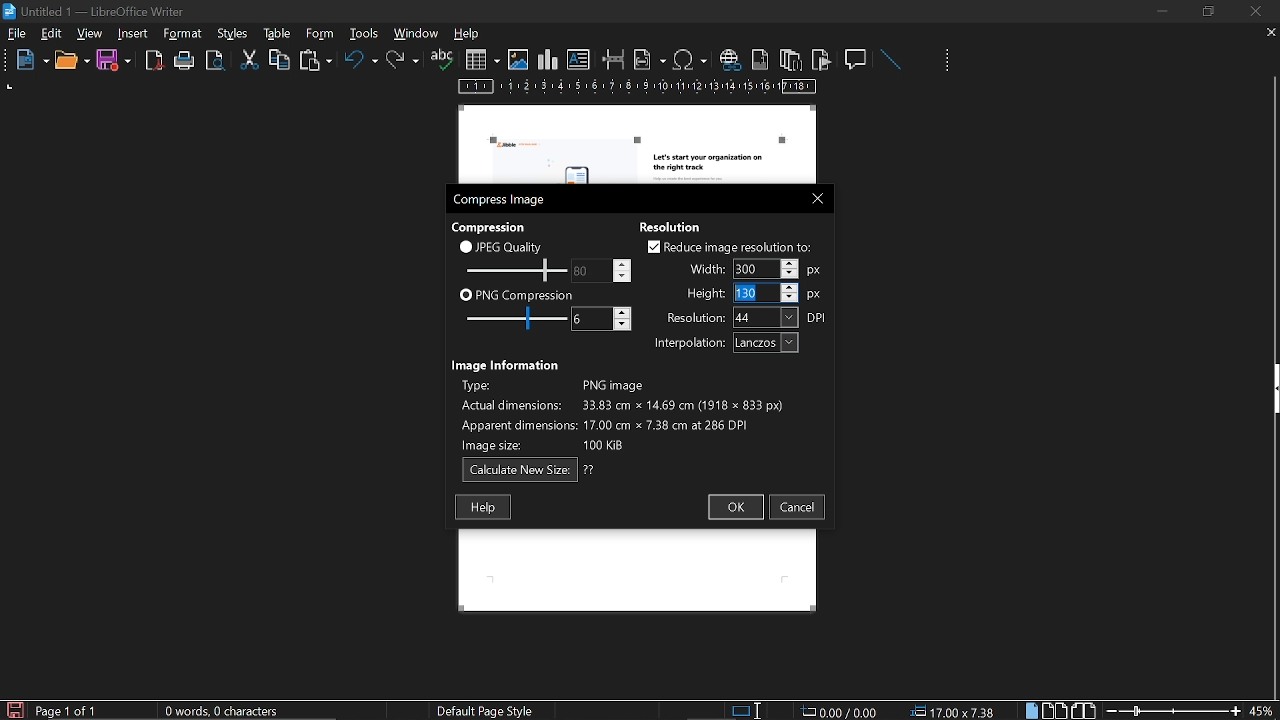 This screenshot has width=1280, height=720. What do you see at coordinates (186, 34) in the screenshot?
I see `tools` at bounding box center [186, 34].